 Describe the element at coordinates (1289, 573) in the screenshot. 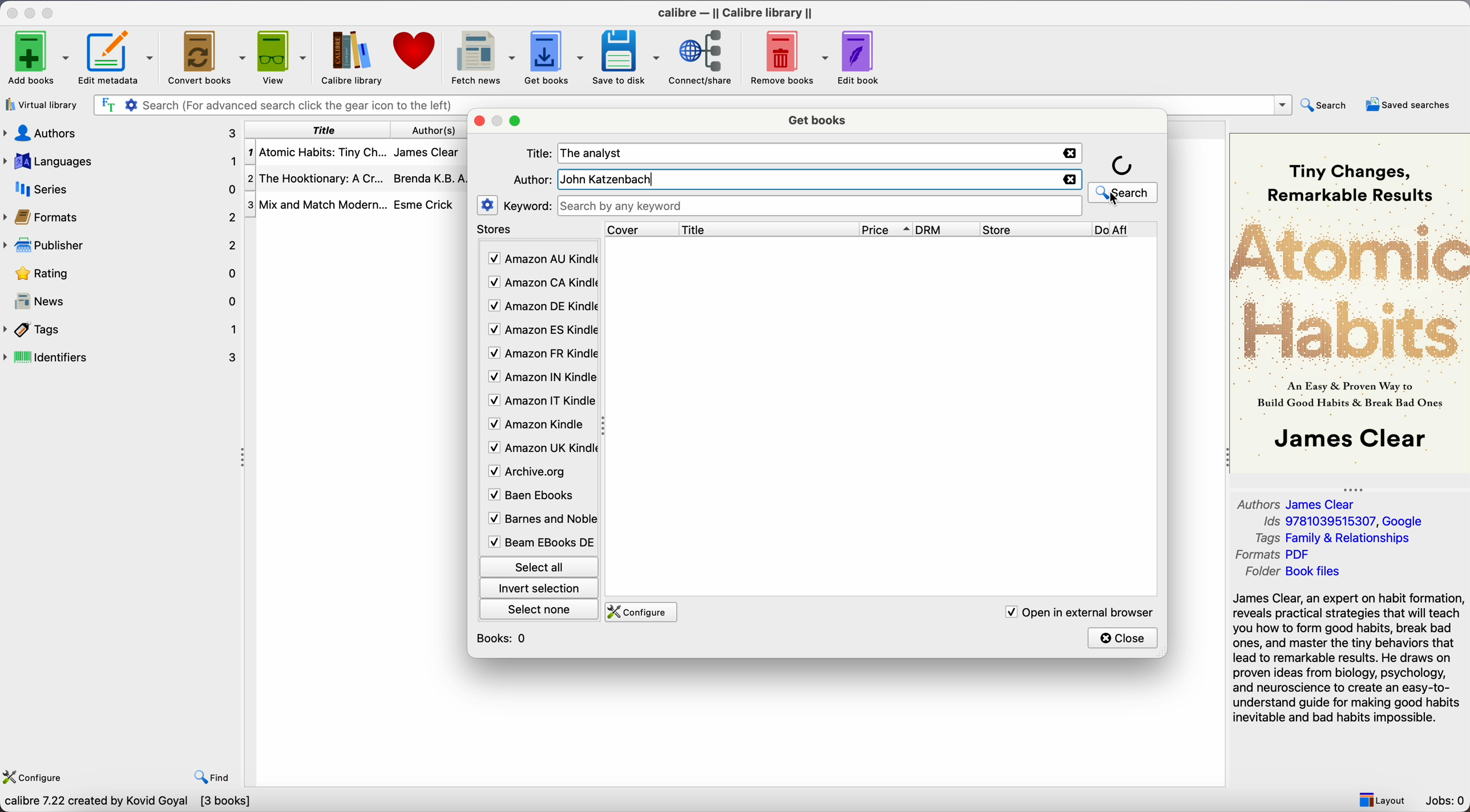

I see `Folder Book files` at that location.